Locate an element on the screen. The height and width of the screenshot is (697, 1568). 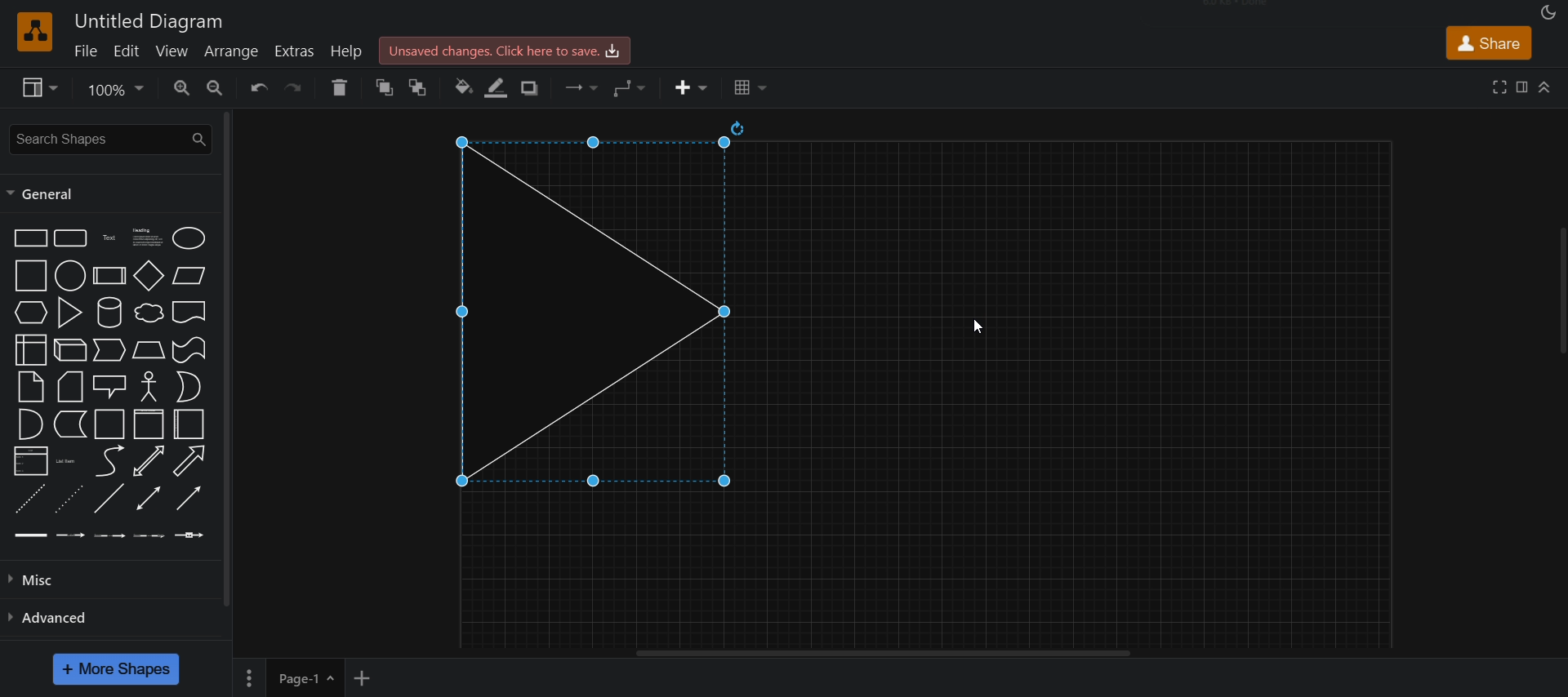
general is located at coordinates (46, 193).